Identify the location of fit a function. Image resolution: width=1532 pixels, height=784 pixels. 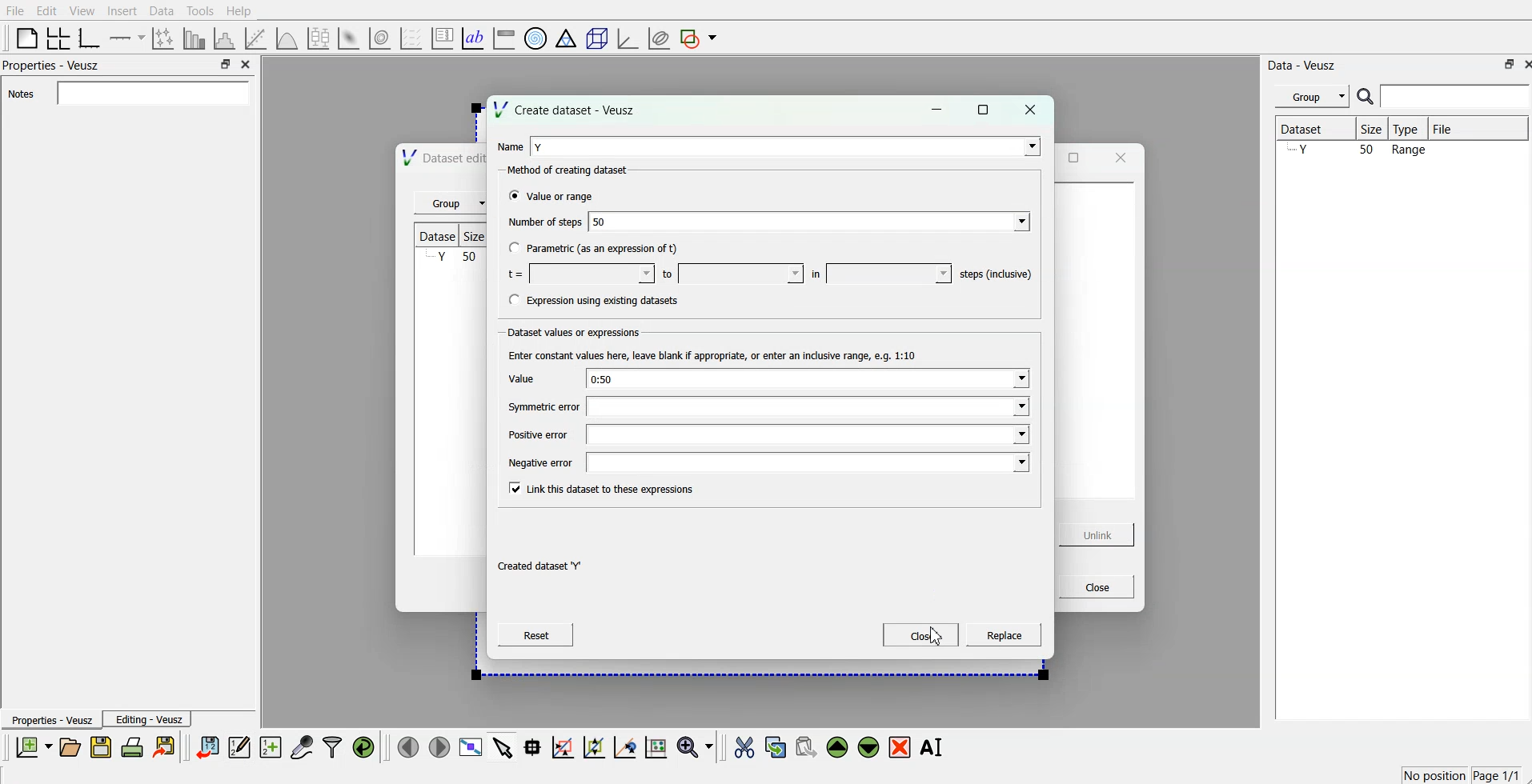
(258, 37).